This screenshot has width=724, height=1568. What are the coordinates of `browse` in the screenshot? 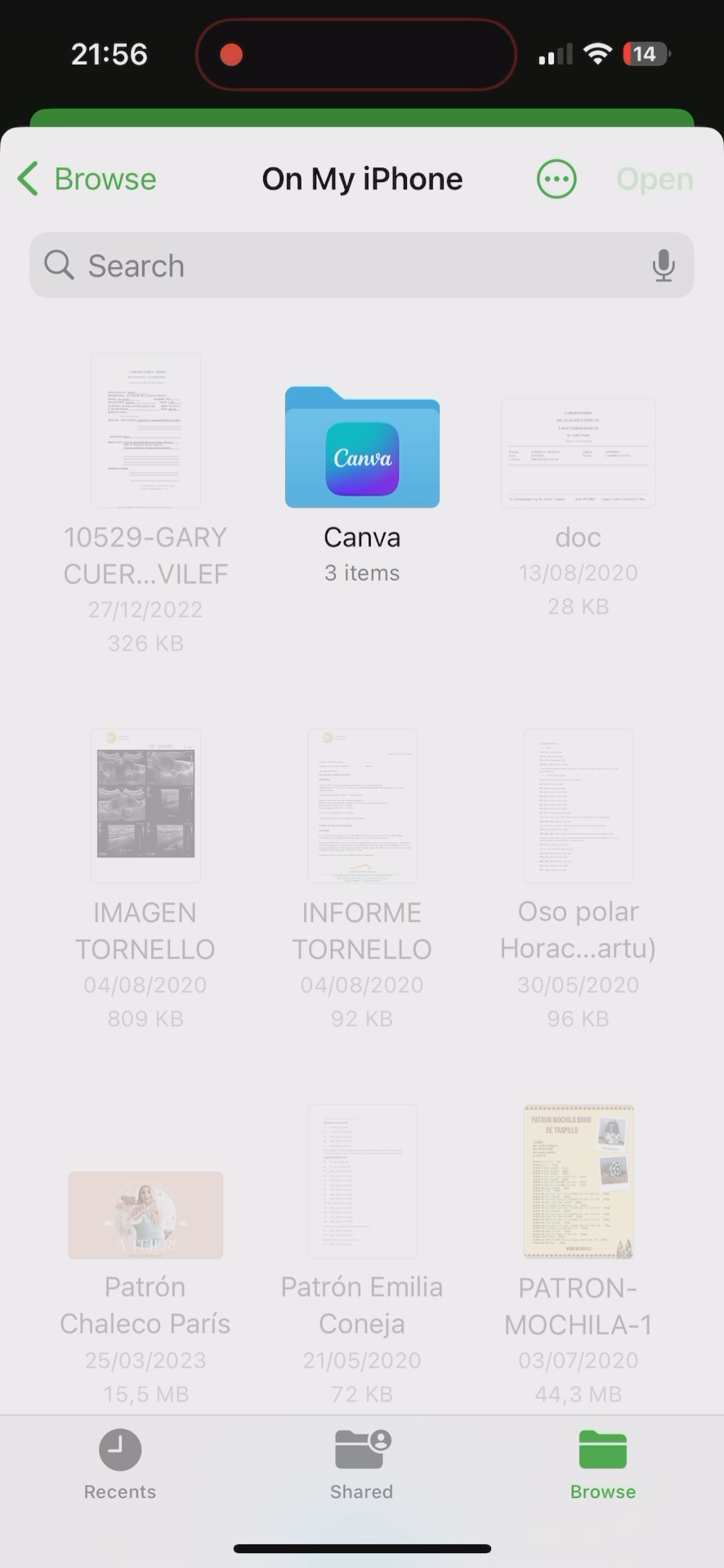 It's located at (92, 178).